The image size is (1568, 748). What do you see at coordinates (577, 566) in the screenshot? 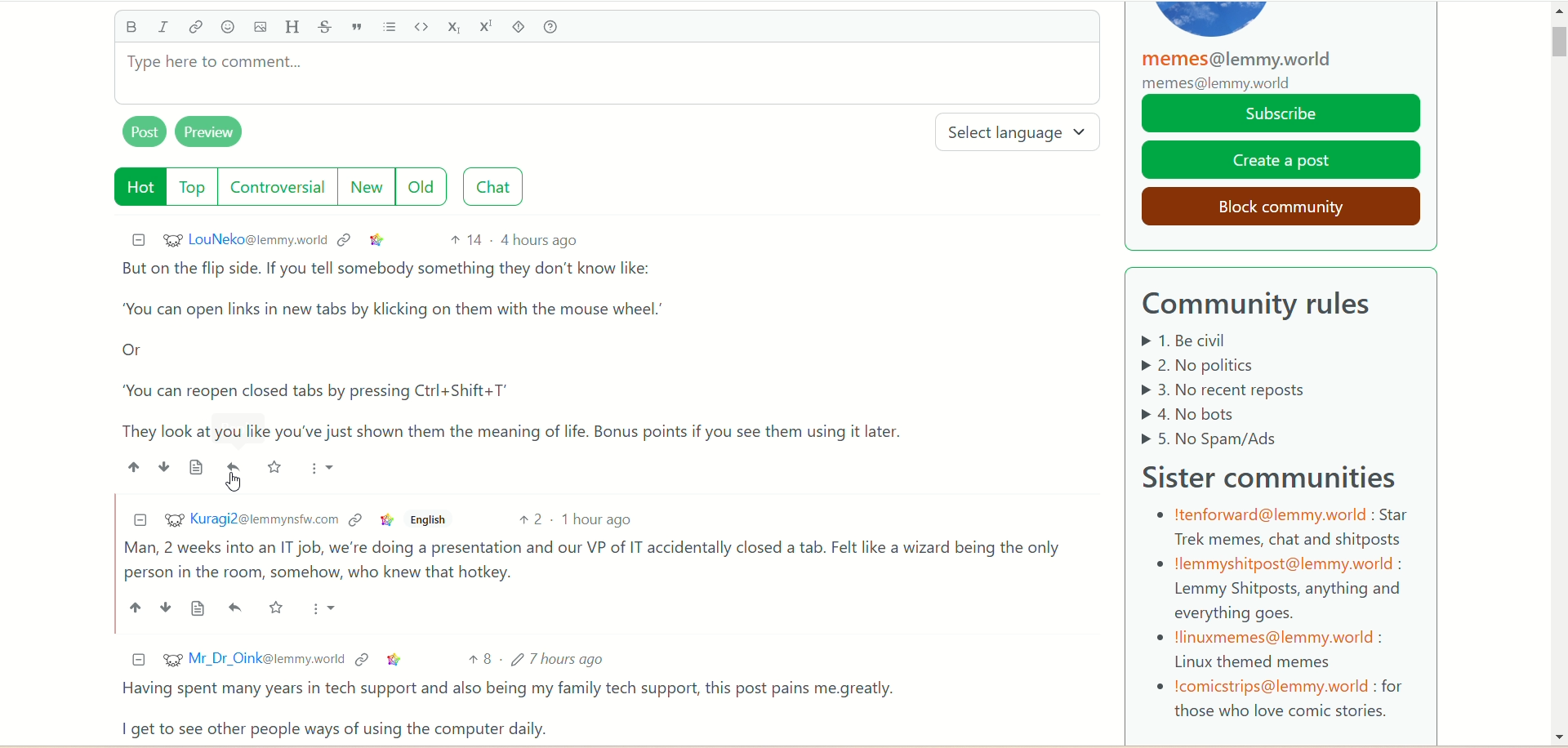
I see `comment of Kuragi2` at bounding box center [577, 566].